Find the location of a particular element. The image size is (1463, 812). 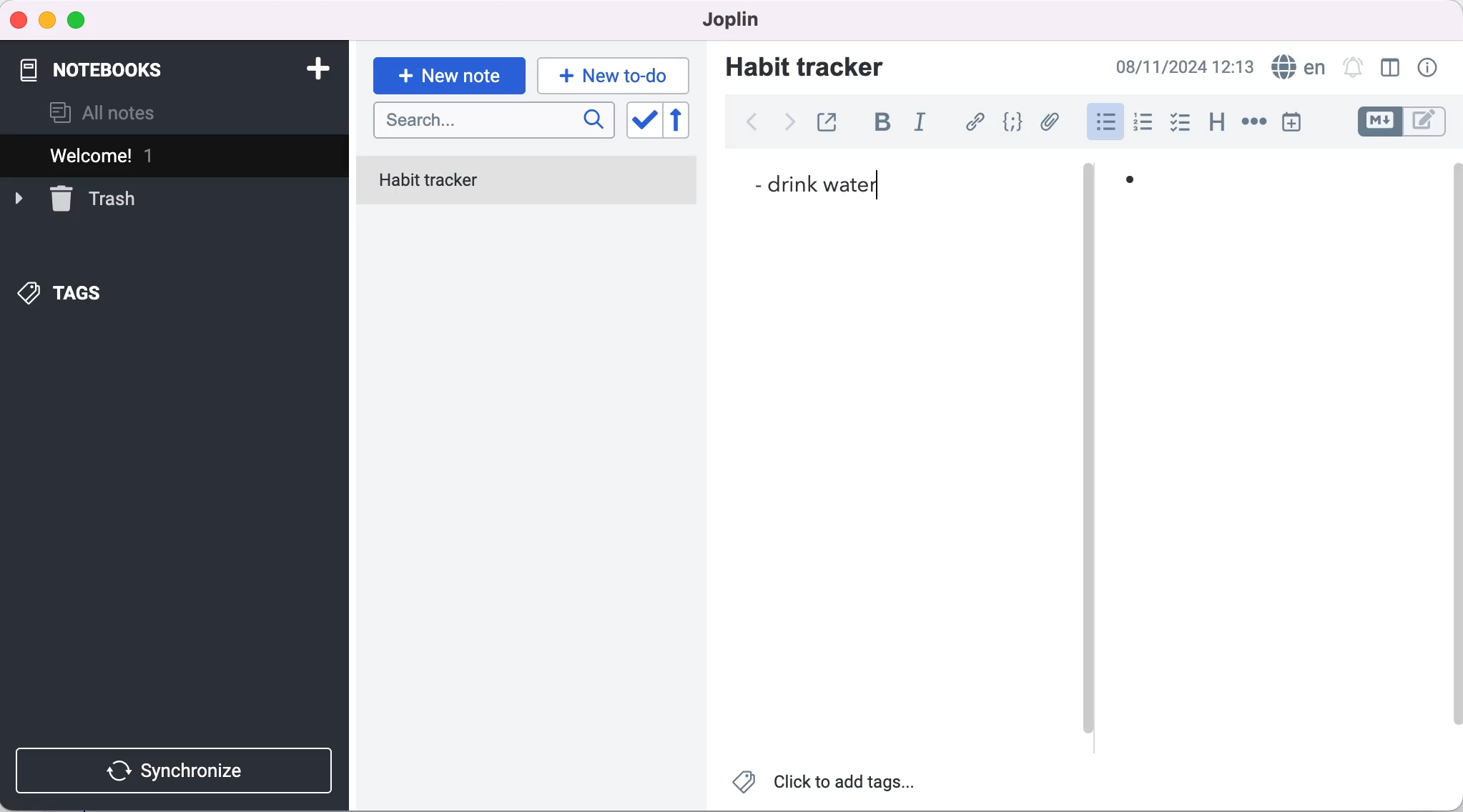

welcome 1 is located at coordinates (177, 155).